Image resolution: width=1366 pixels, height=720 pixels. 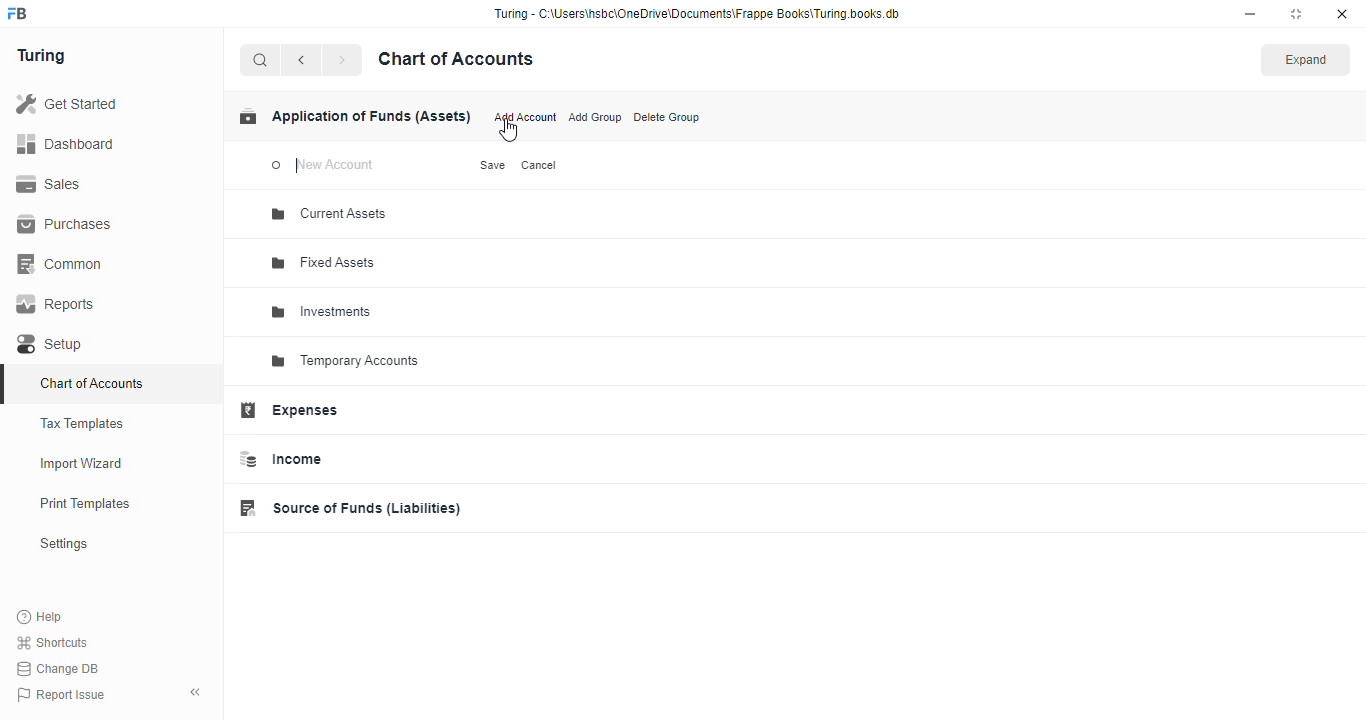 I want to click on investments, so click(x=323, y=312).